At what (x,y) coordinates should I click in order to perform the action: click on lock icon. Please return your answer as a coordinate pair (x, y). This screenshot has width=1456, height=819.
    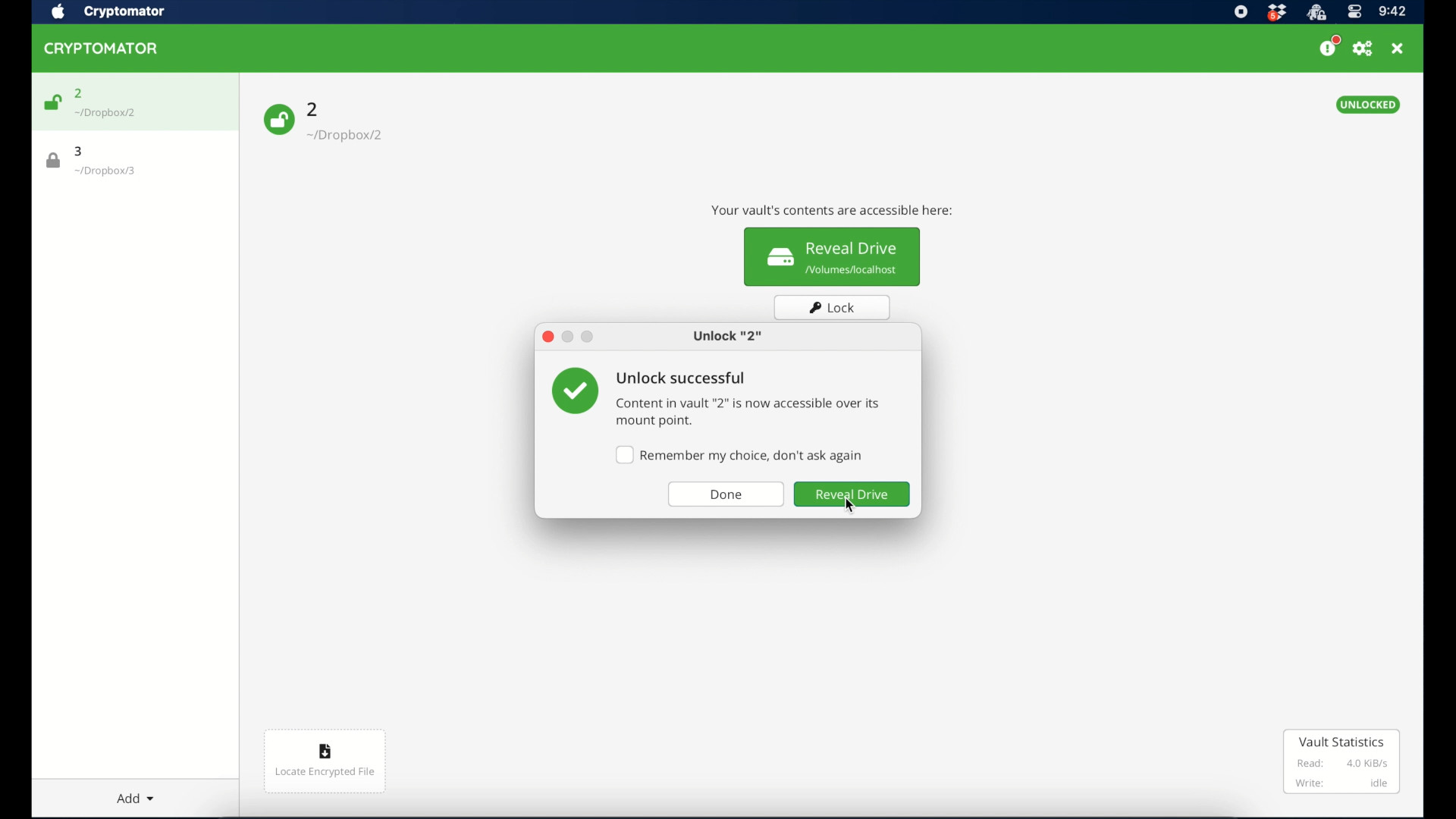
    Looking at the image, I should click on (54, 161).